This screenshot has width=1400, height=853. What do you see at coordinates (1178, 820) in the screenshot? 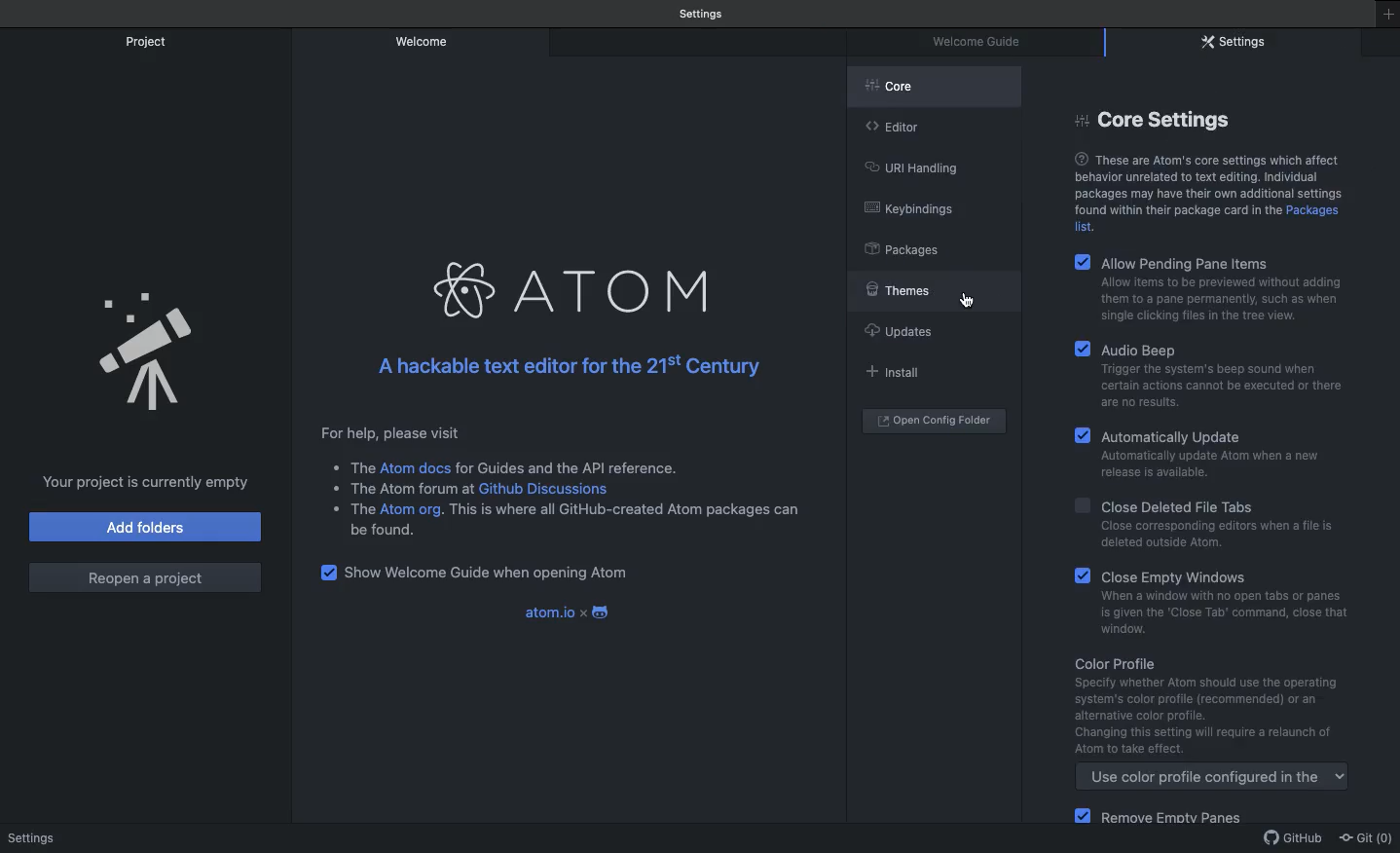
I see `Remove emotv` at bounding box center [1178, 820].